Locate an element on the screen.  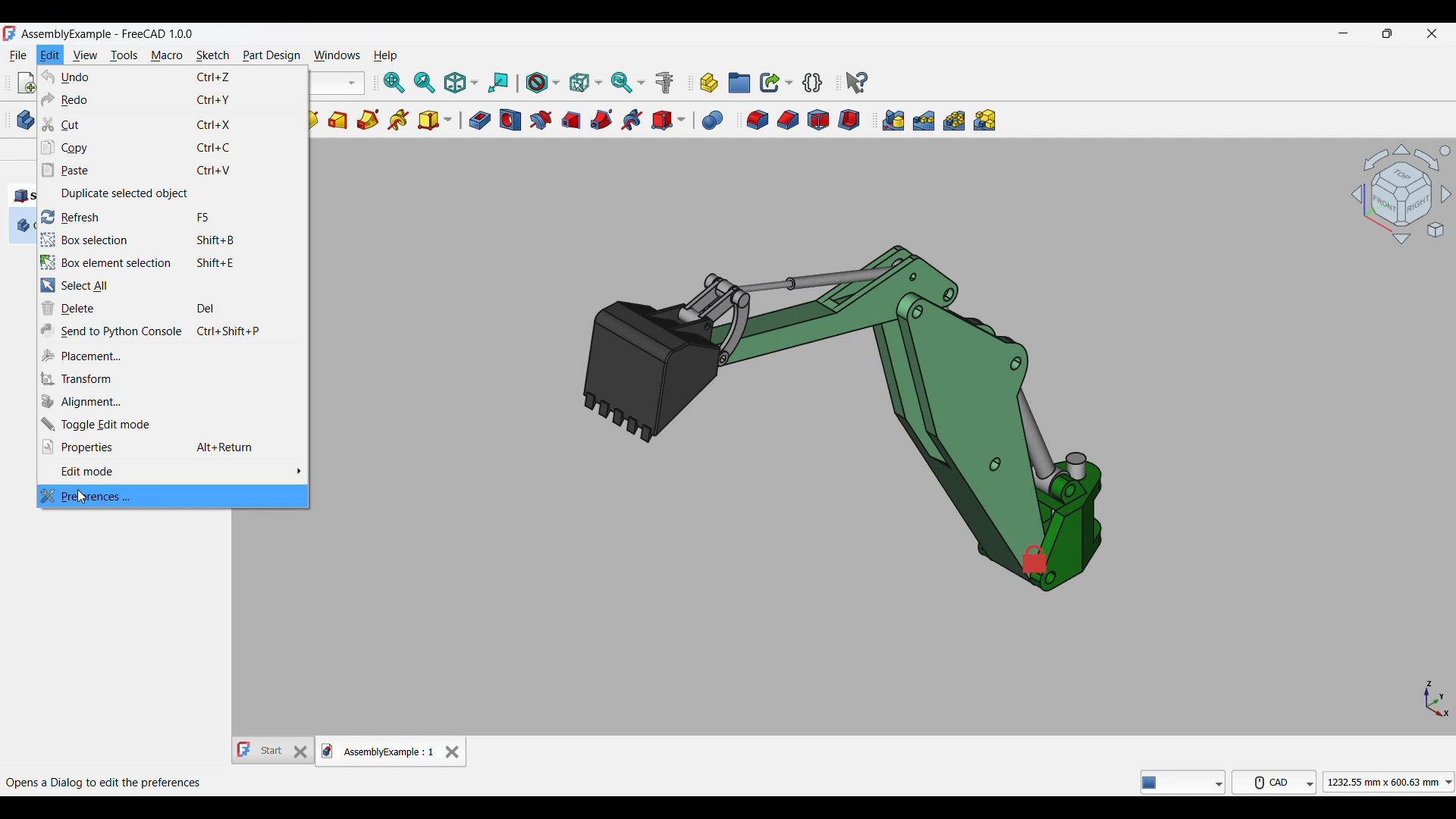
Paste is located at coordinates (173, 171).